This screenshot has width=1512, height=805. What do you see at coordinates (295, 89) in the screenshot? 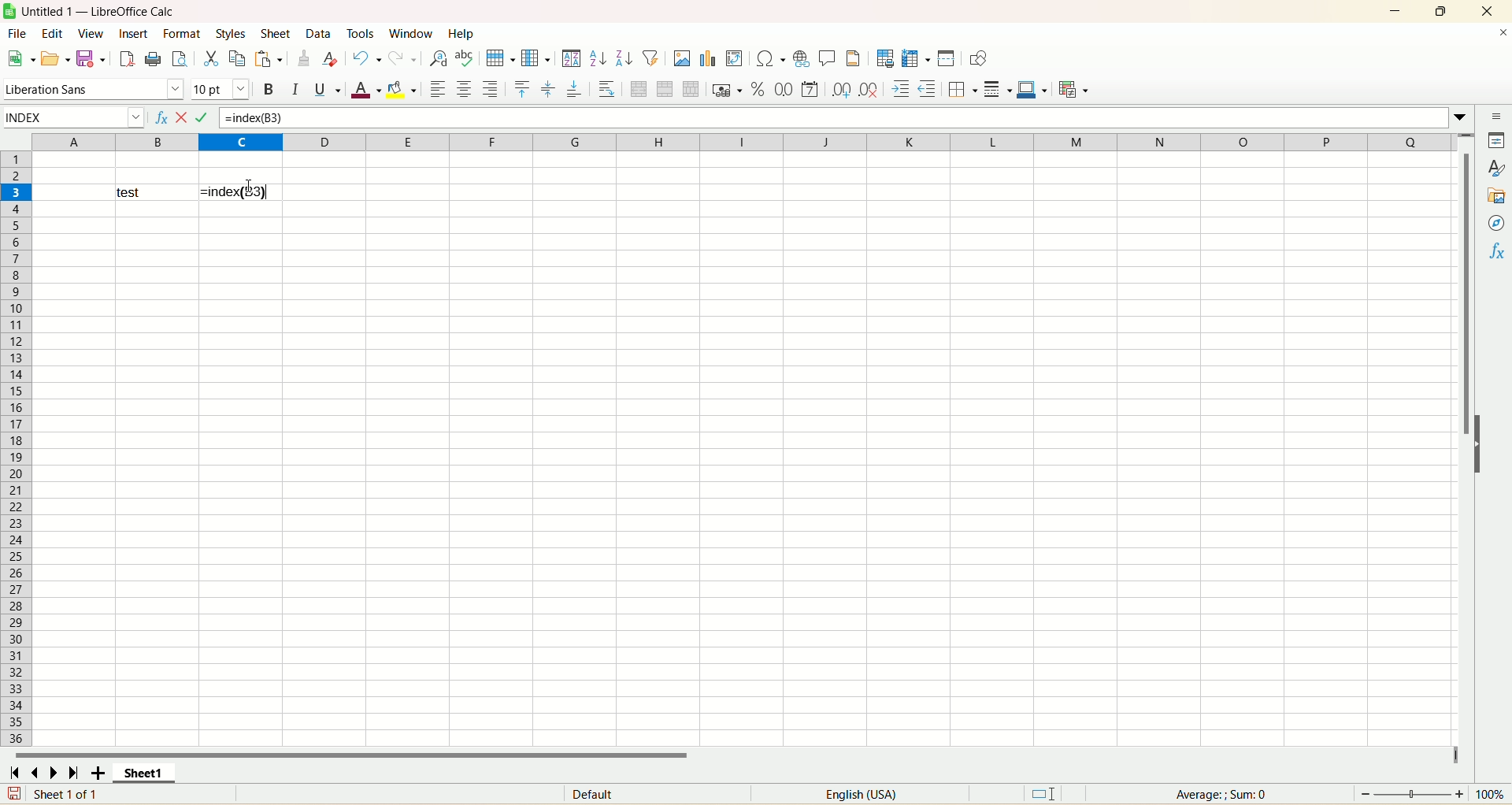
I see `italic` at bounding box center [295, 89].